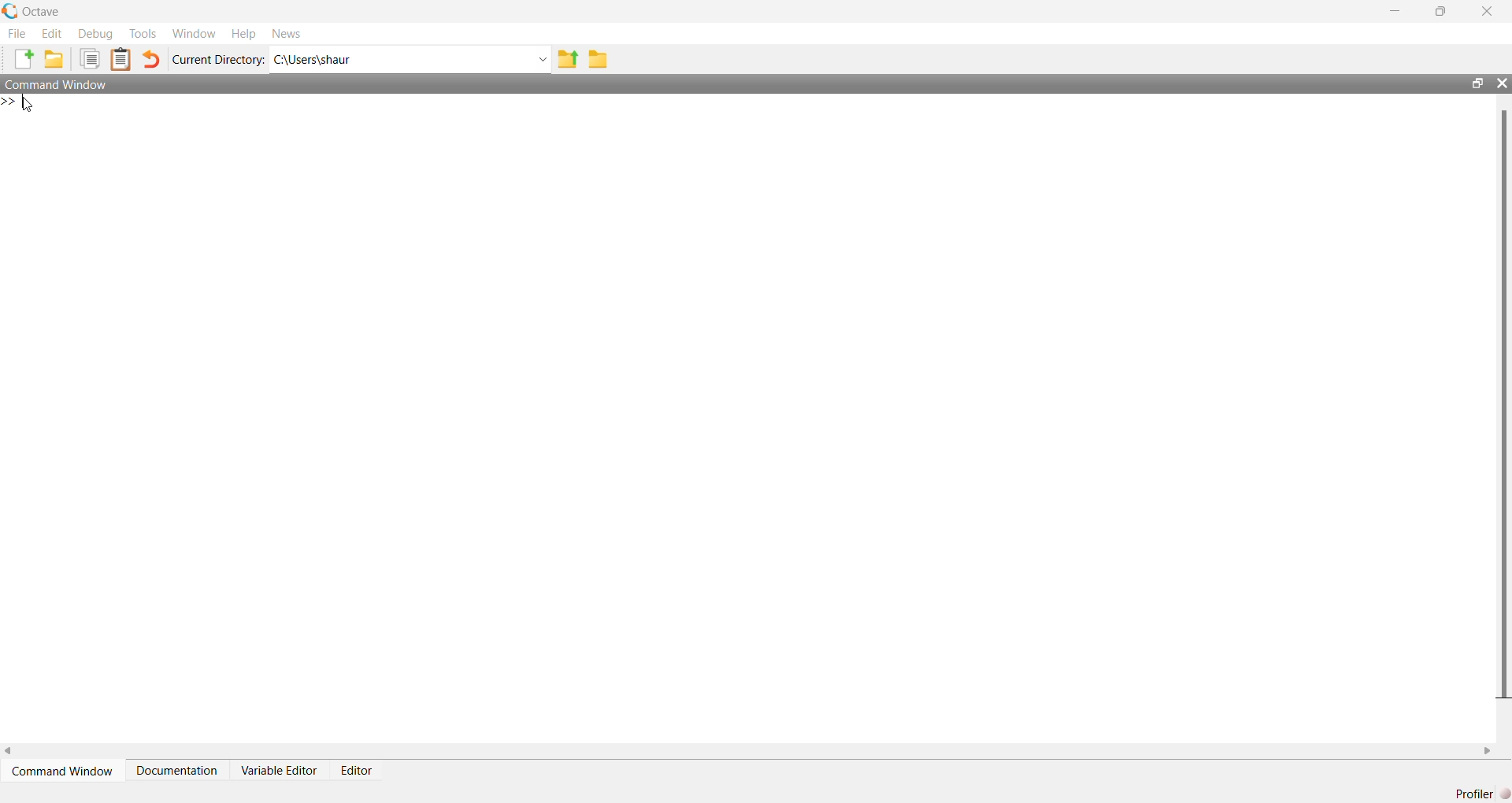 Image resolution: width=1512 pixels, height=803 pixels. I want to click on octave, so click(44, 12).